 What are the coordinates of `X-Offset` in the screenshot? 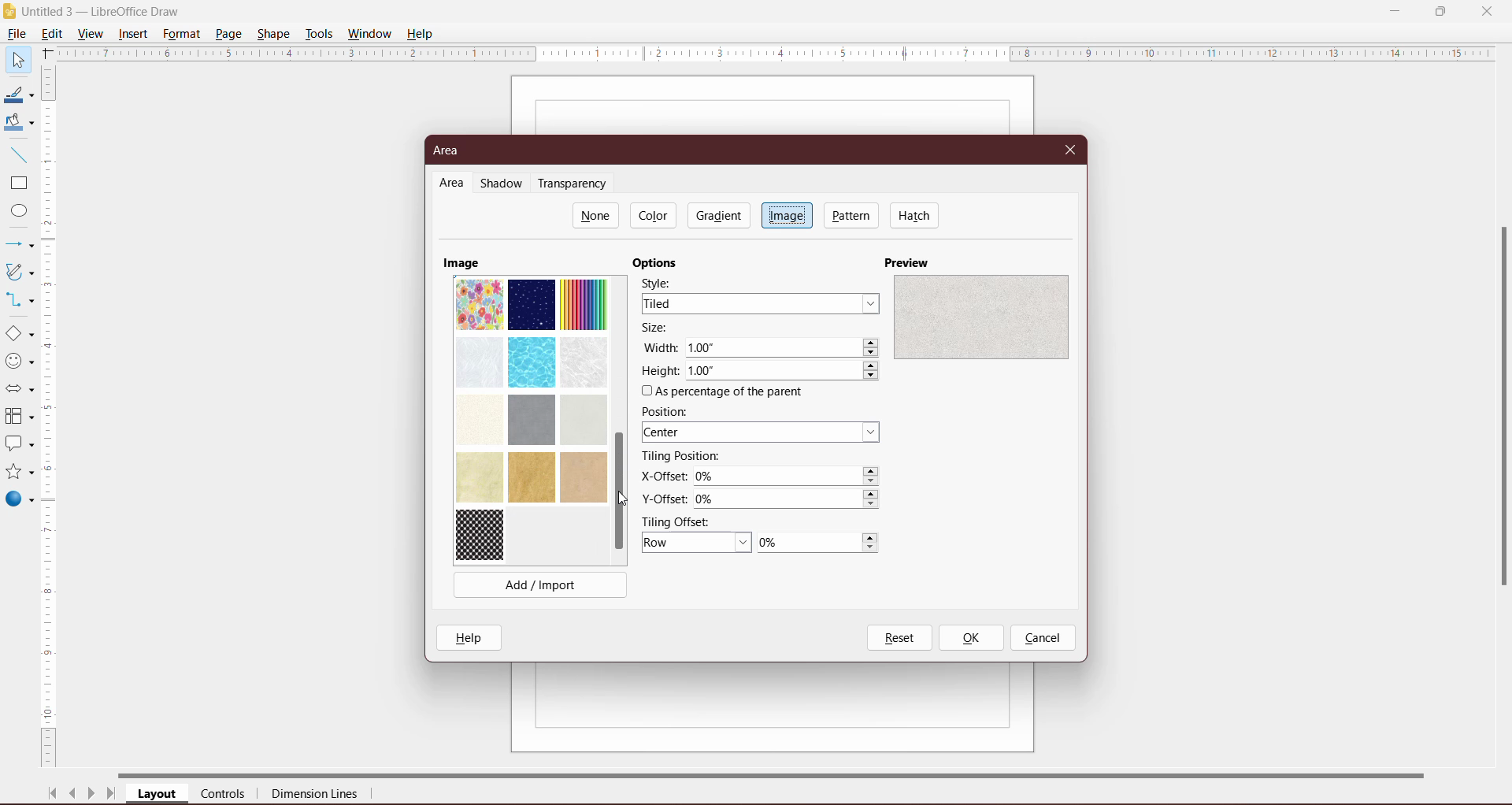 It's located at (661, 476).